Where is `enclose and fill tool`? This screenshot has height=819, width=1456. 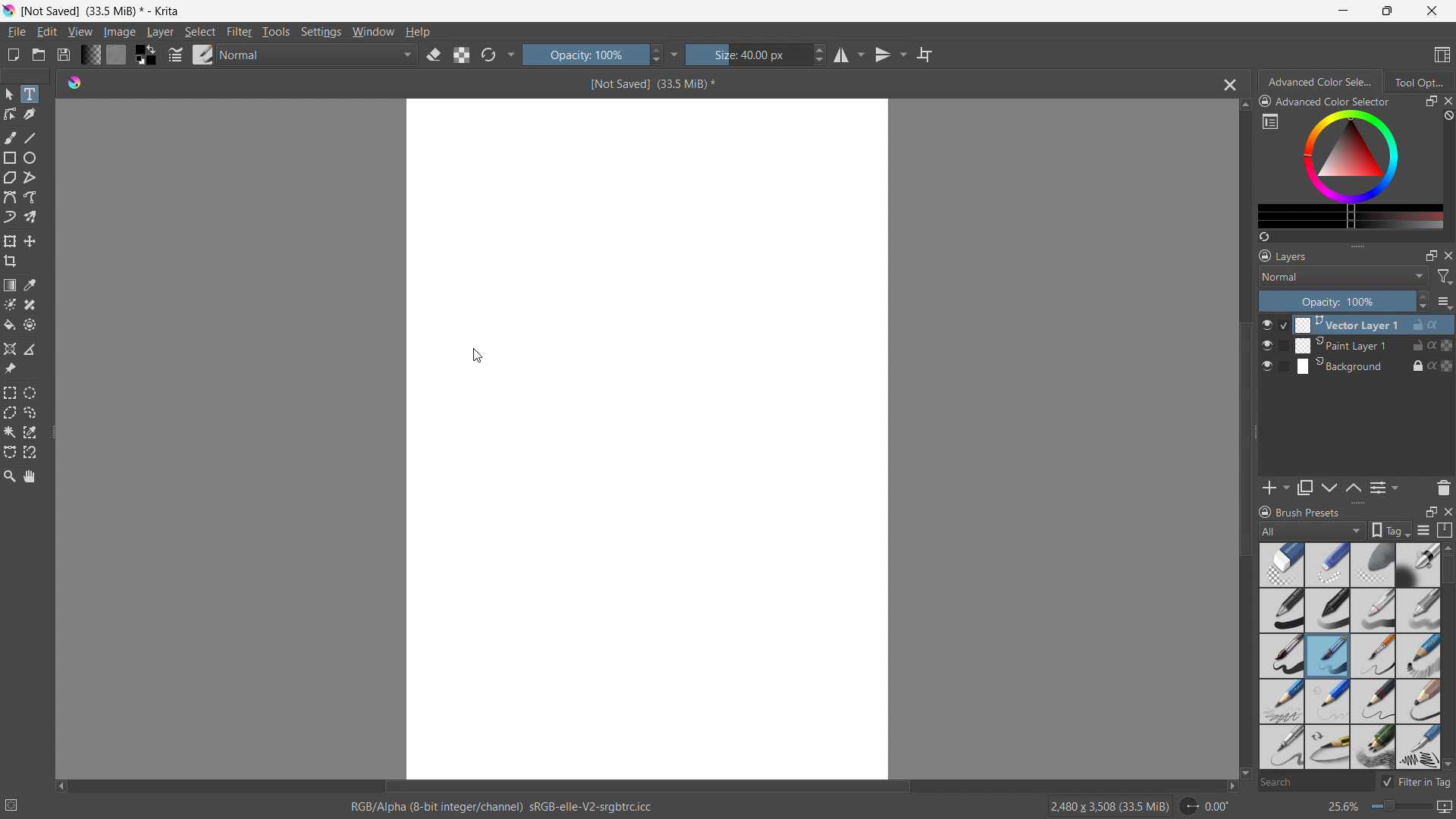
enclose and fill tool is located at coordinates (30, 325).